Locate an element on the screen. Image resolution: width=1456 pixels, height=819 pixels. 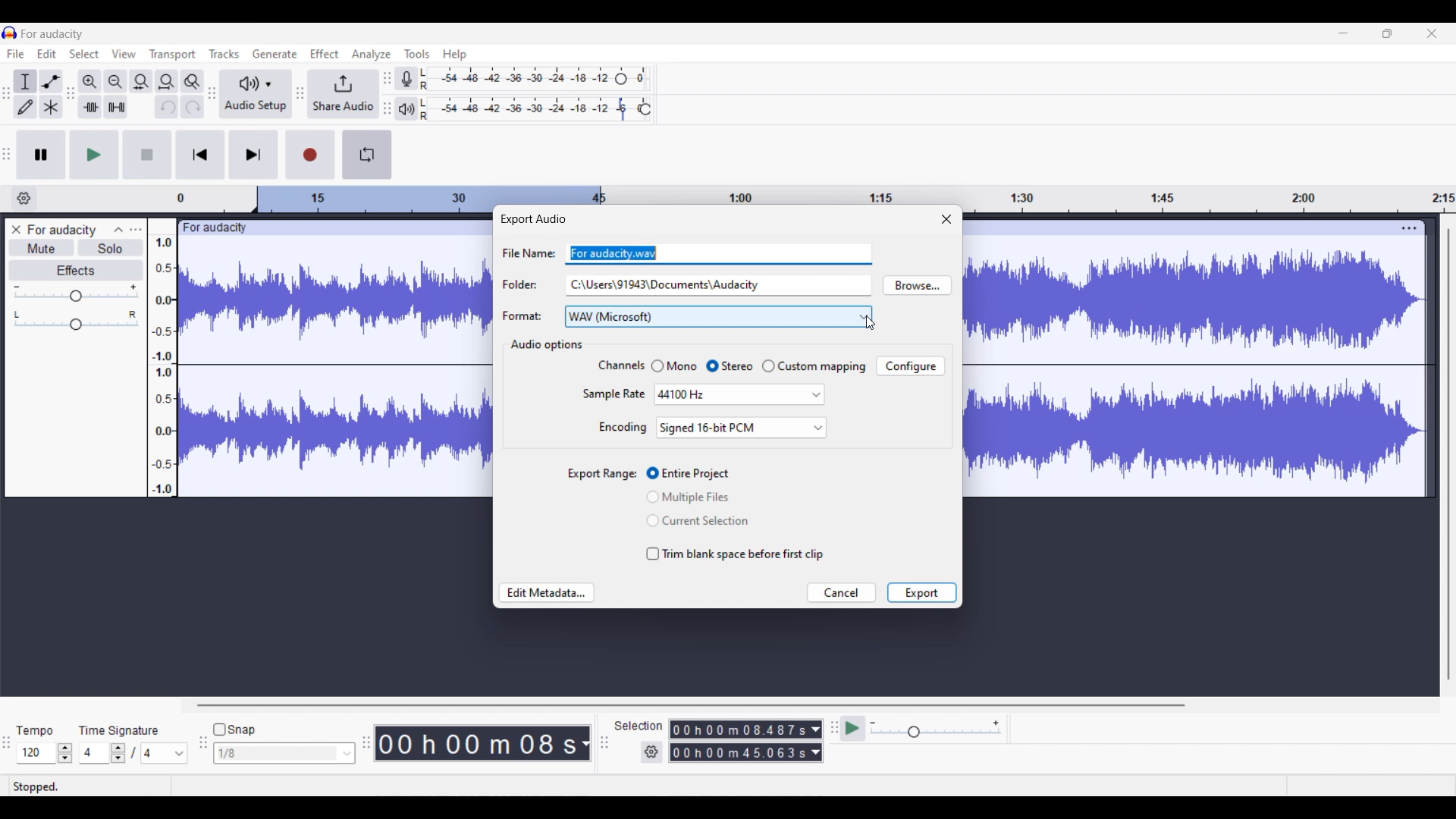
Toggle for 'Current Selection' is located at coordinates (698, 520).